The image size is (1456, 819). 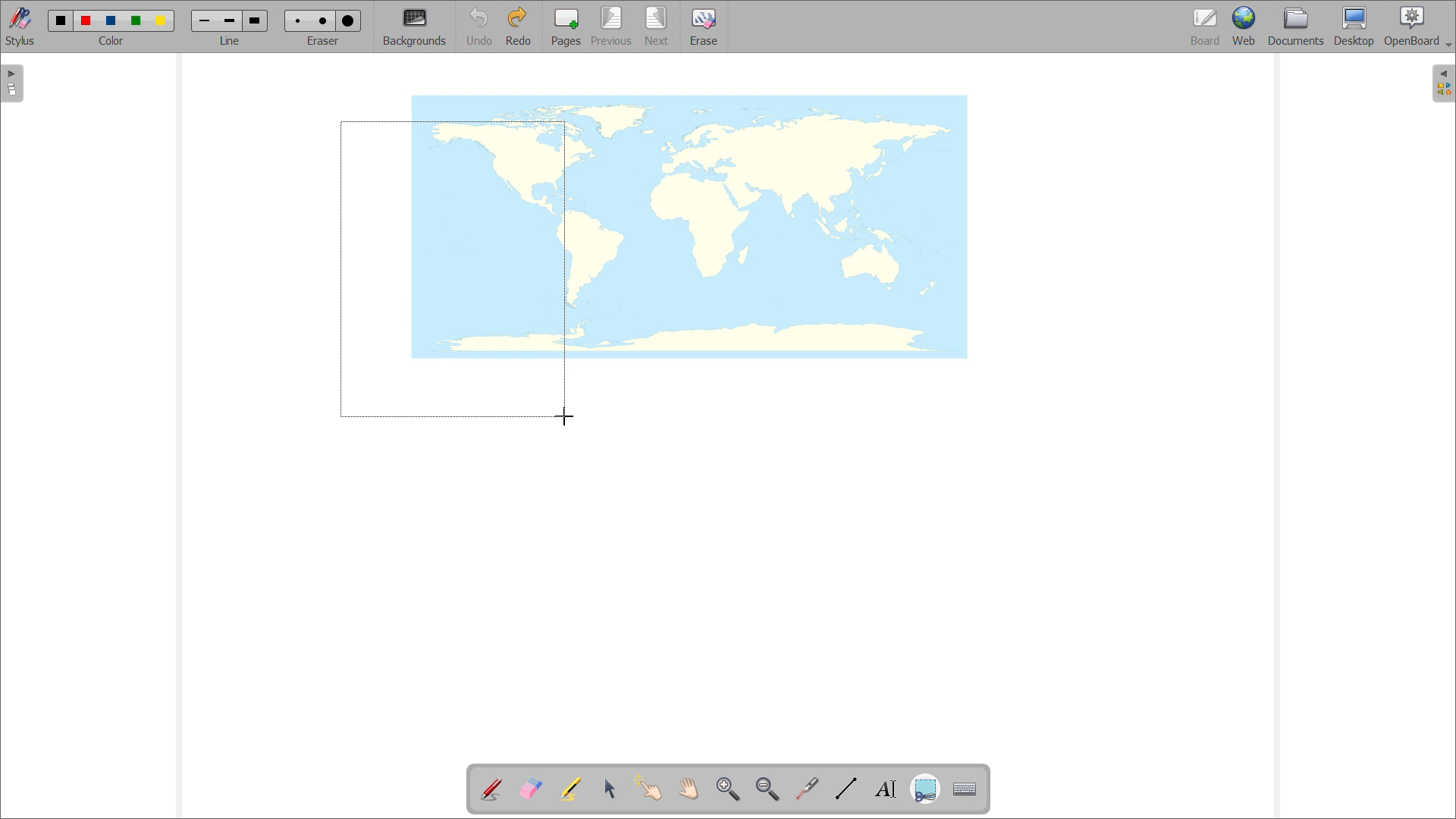 What do you see at coordinates (806, 789) in the screenshot?
I see `virtual laser pointer` at bounding box center [806, 789].